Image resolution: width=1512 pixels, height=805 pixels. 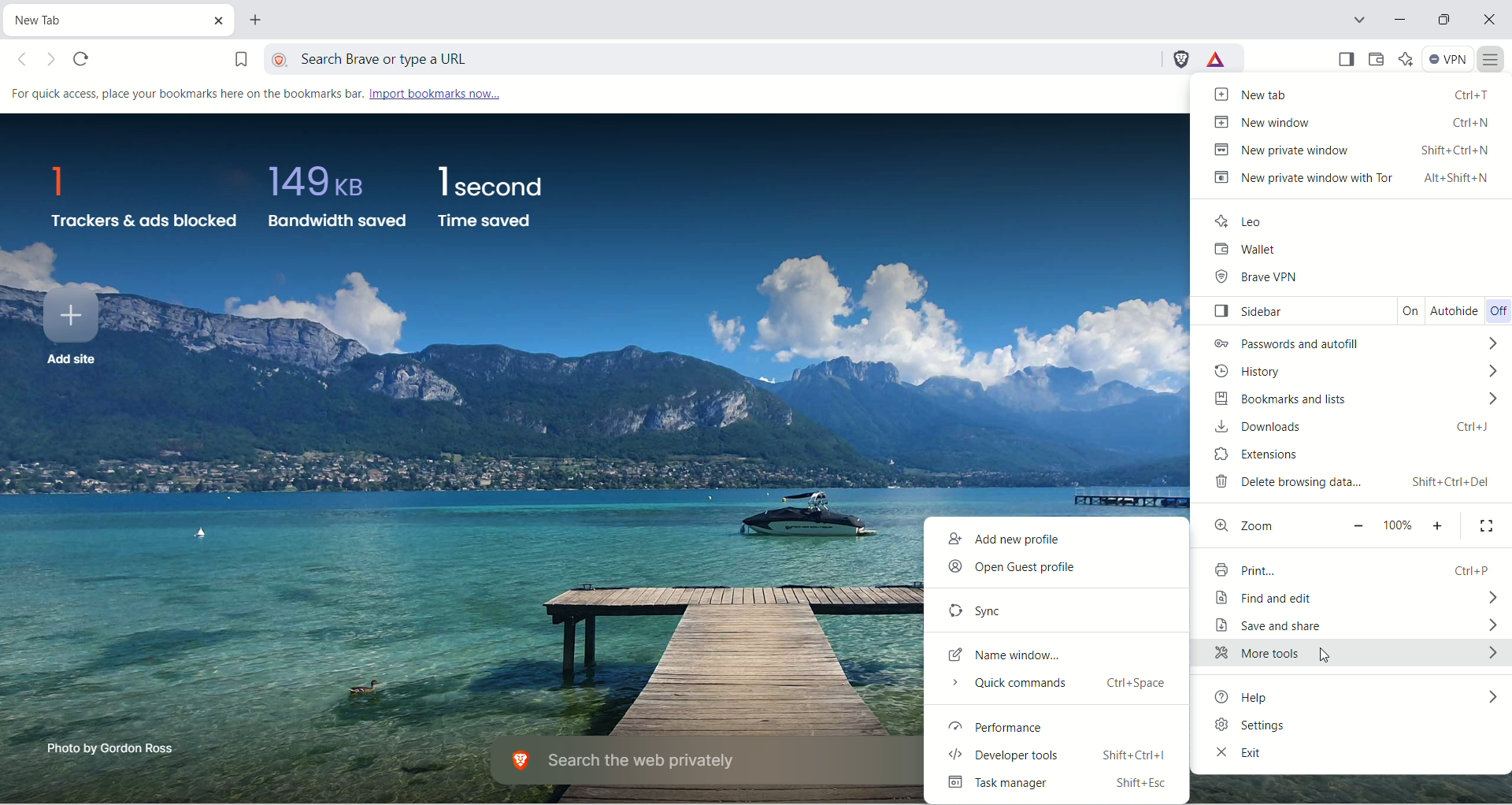 What do you see at coordinates (1357, 658) in the screenshot?
I see `more tools` at bounding box center [1357, 658].